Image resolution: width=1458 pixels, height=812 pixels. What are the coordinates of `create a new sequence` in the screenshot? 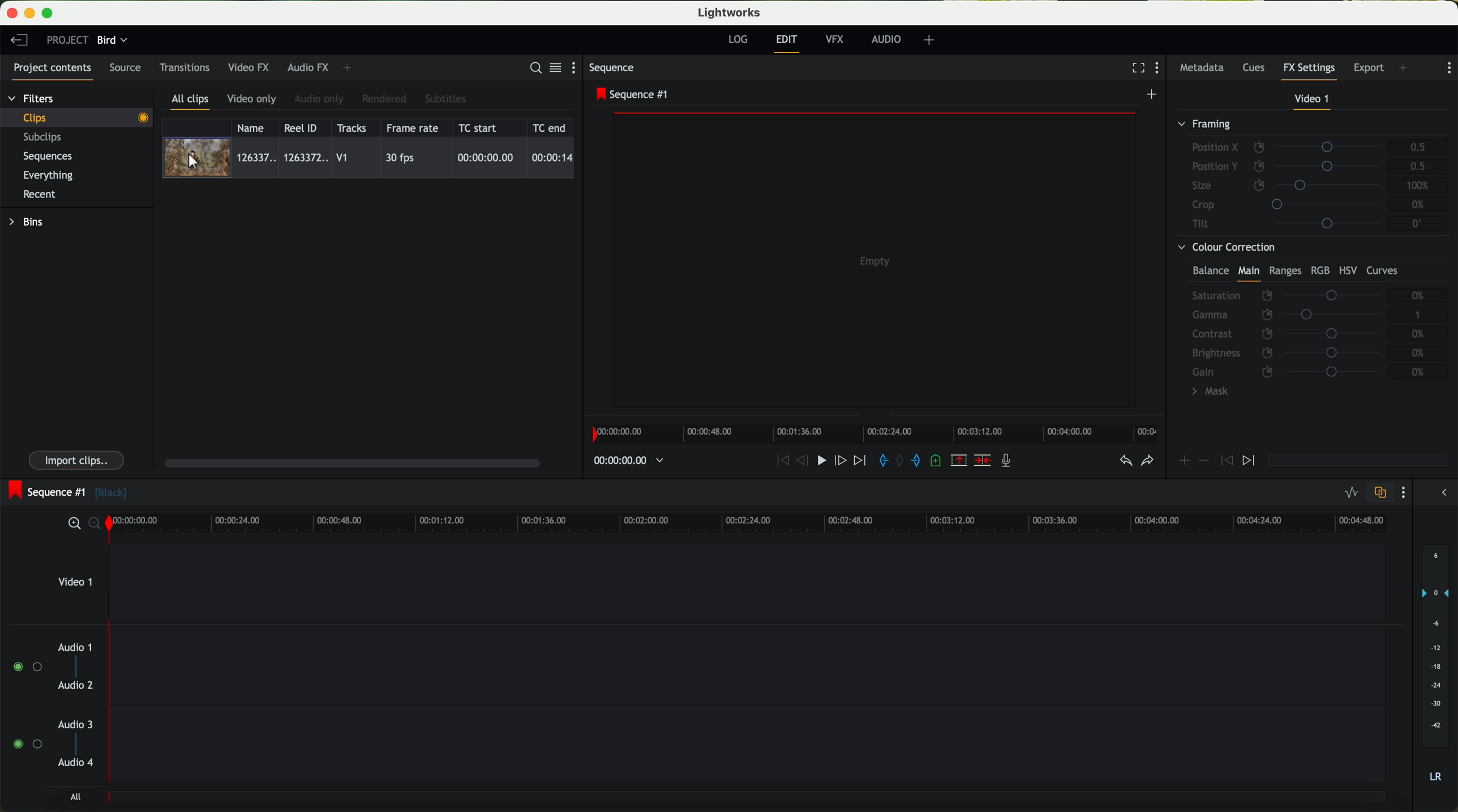 It's located at (1153, 95).